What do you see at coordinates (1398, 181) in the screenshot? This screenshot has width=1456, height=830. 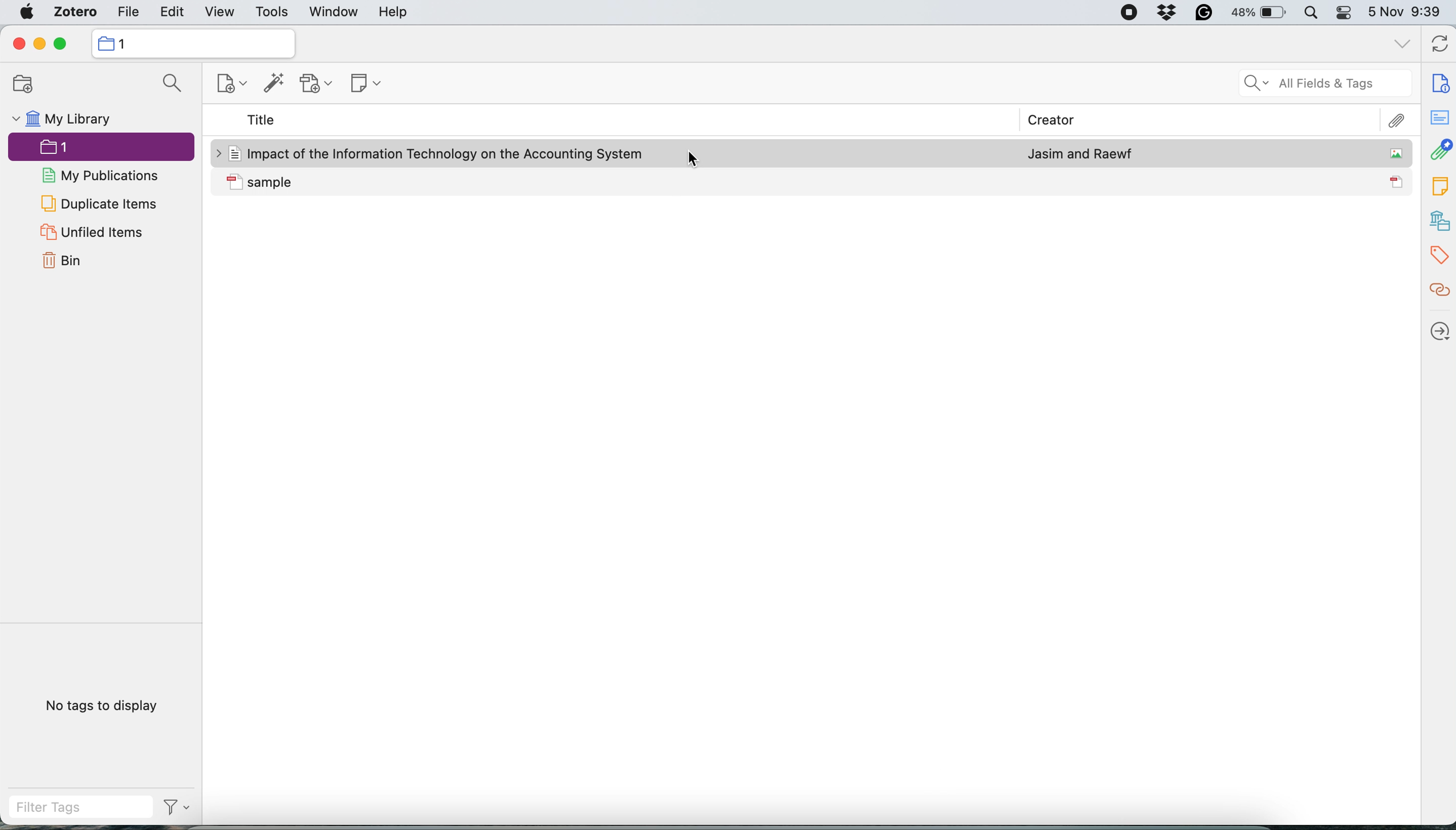 I see `document icon` at bounding box center [1398, 181].